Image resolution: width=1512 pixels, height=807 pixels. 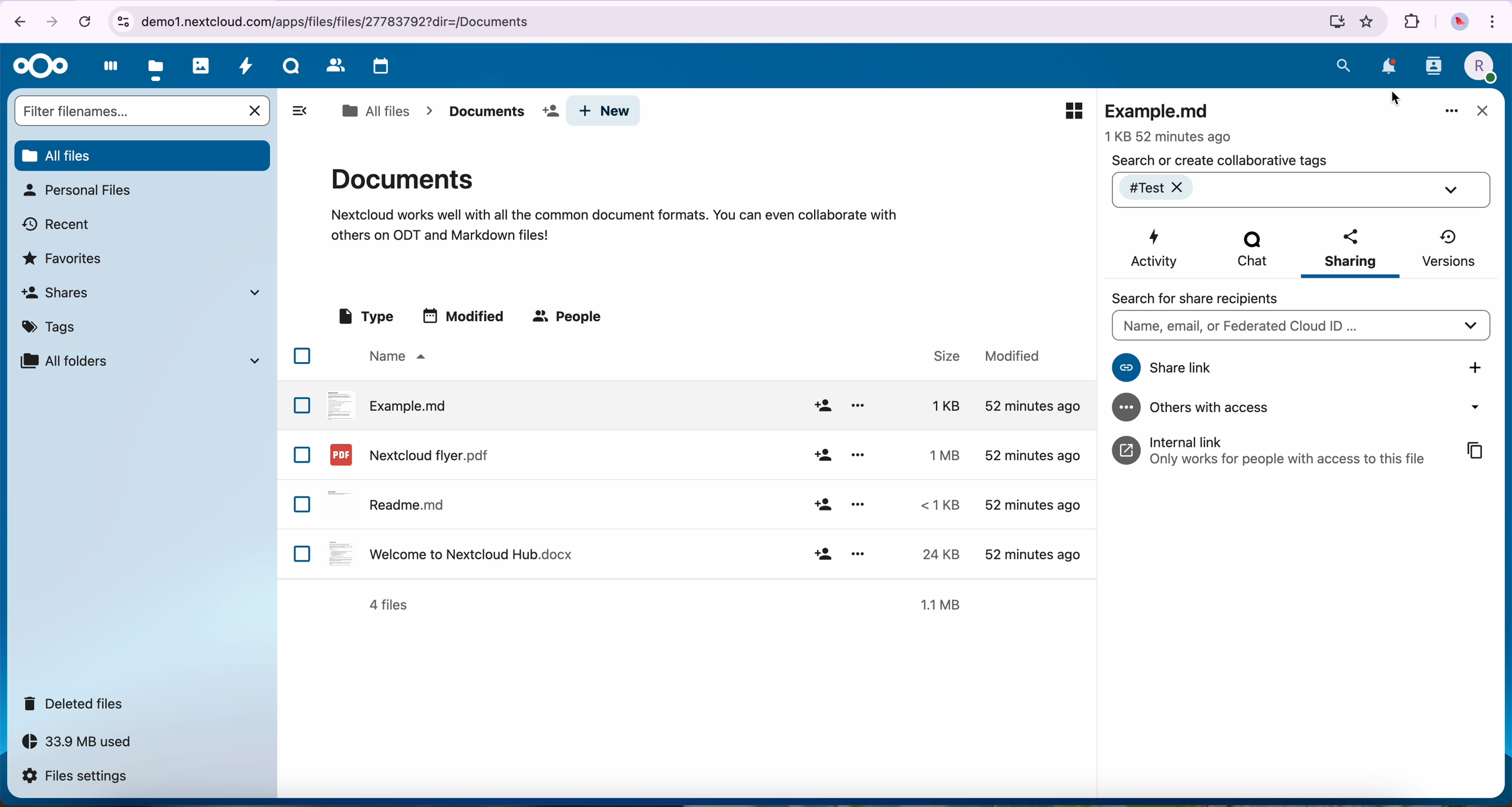 I want to click on cancel, so click(x=84, y=21).